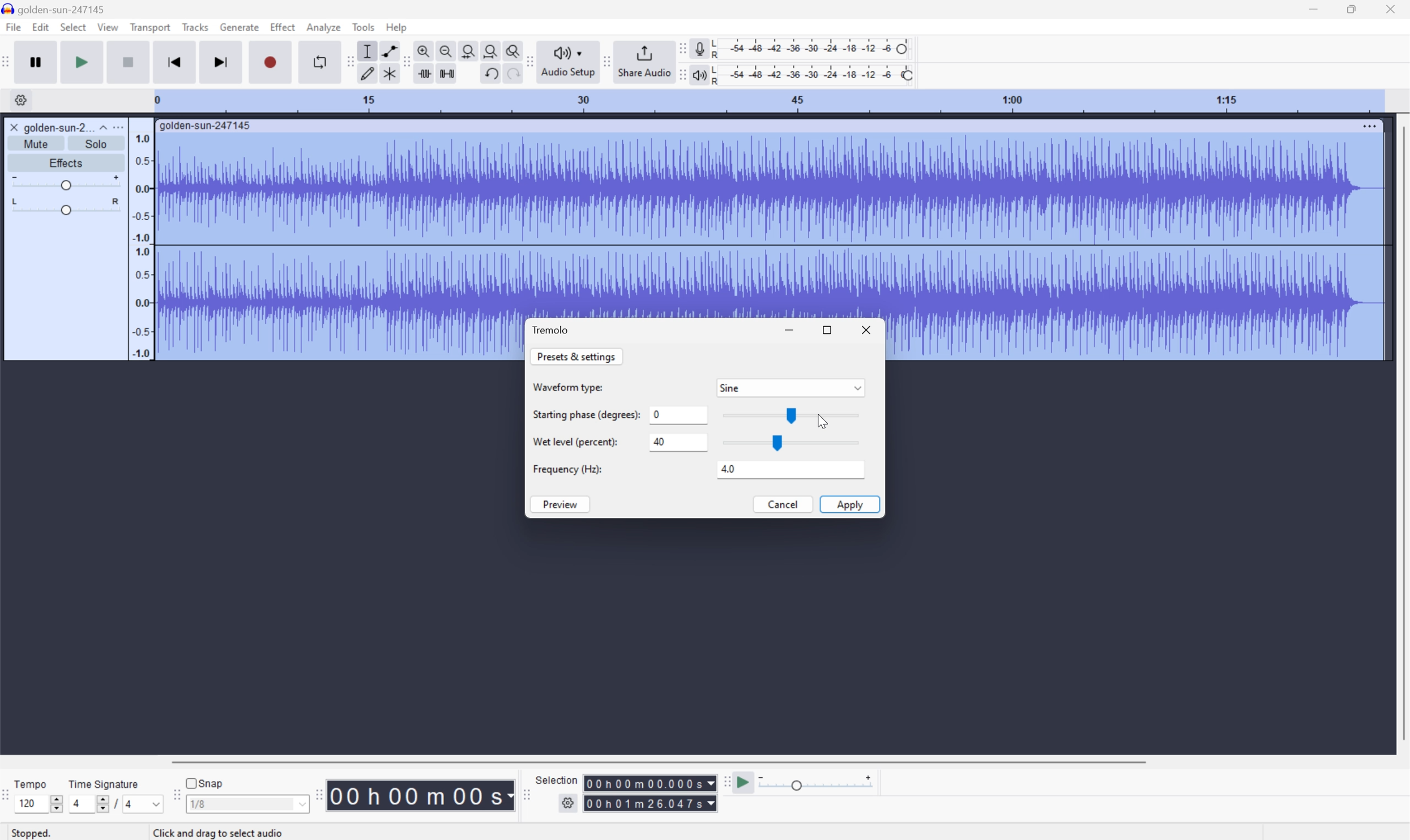 The height and width of the screenshot is (840, 1410). What do you see at coordinates (116, 804) in the screenshot?
I see `/` at bounding box center [116, 804].